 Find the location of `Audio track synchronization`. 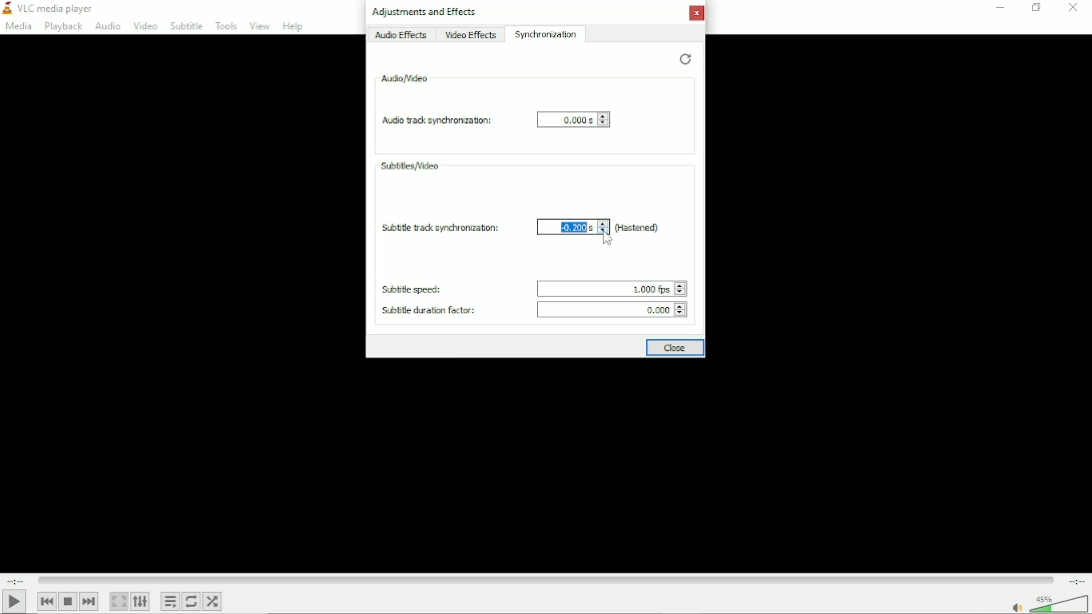

Audio track synchronization is located at coordinates (434, 120).